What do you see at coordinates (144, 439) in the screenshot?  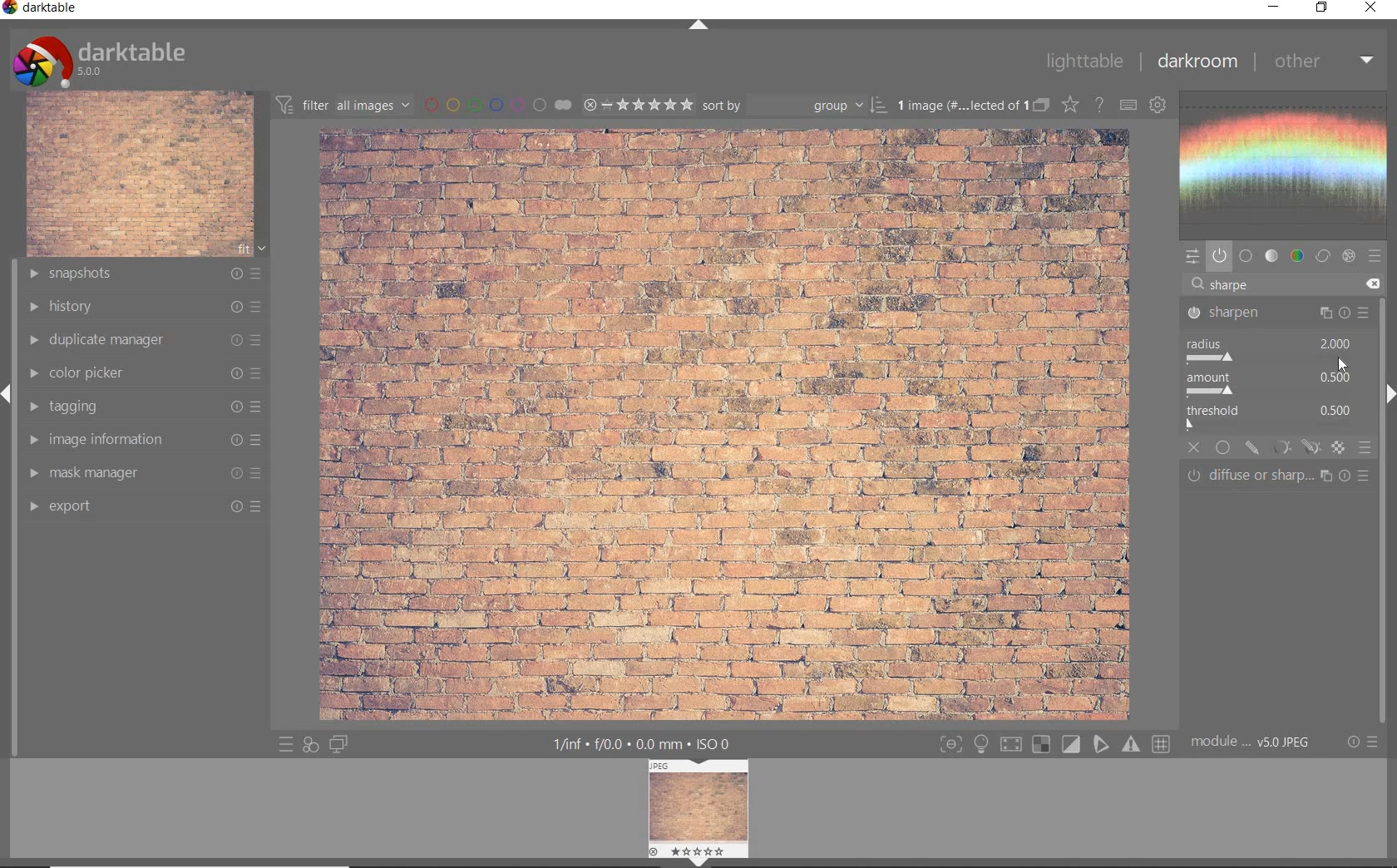 I see `image information` at bounding box center [144, 439].